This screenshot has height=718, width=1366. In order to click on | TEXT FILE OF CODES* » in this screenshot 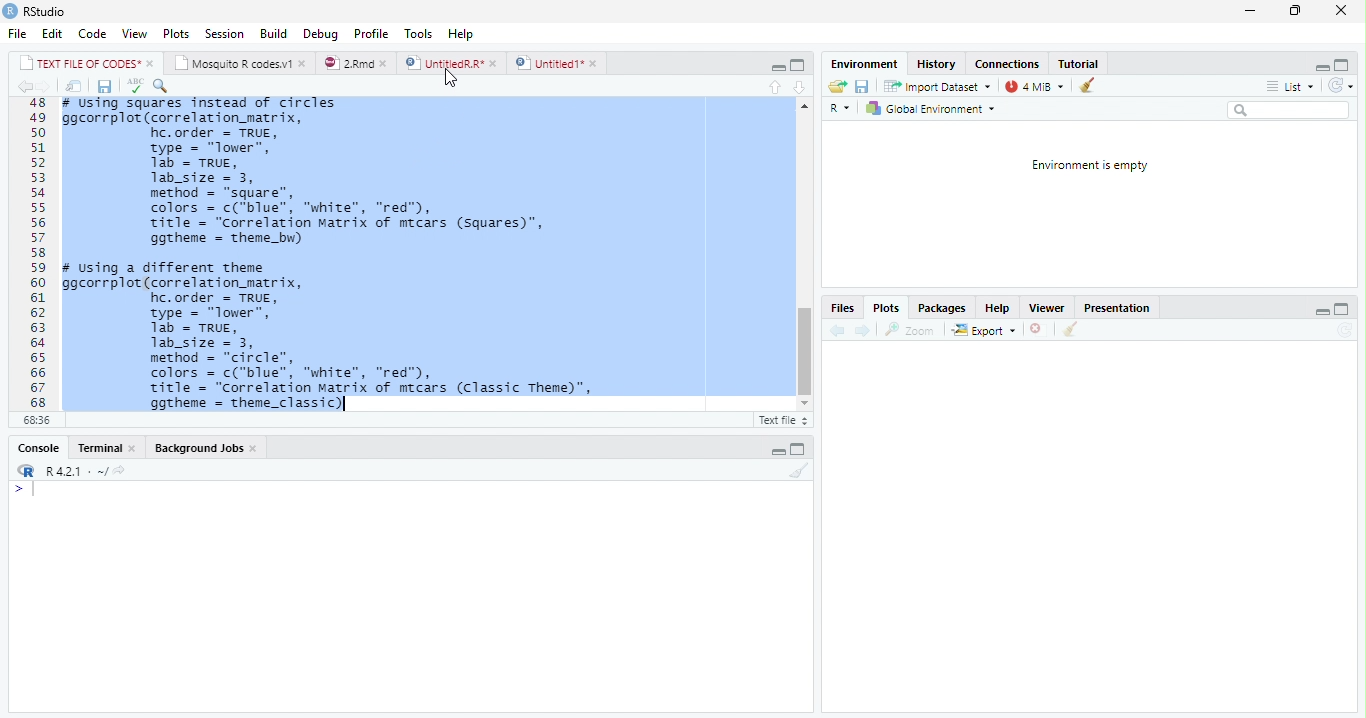, I will do `click(88, 63)`.